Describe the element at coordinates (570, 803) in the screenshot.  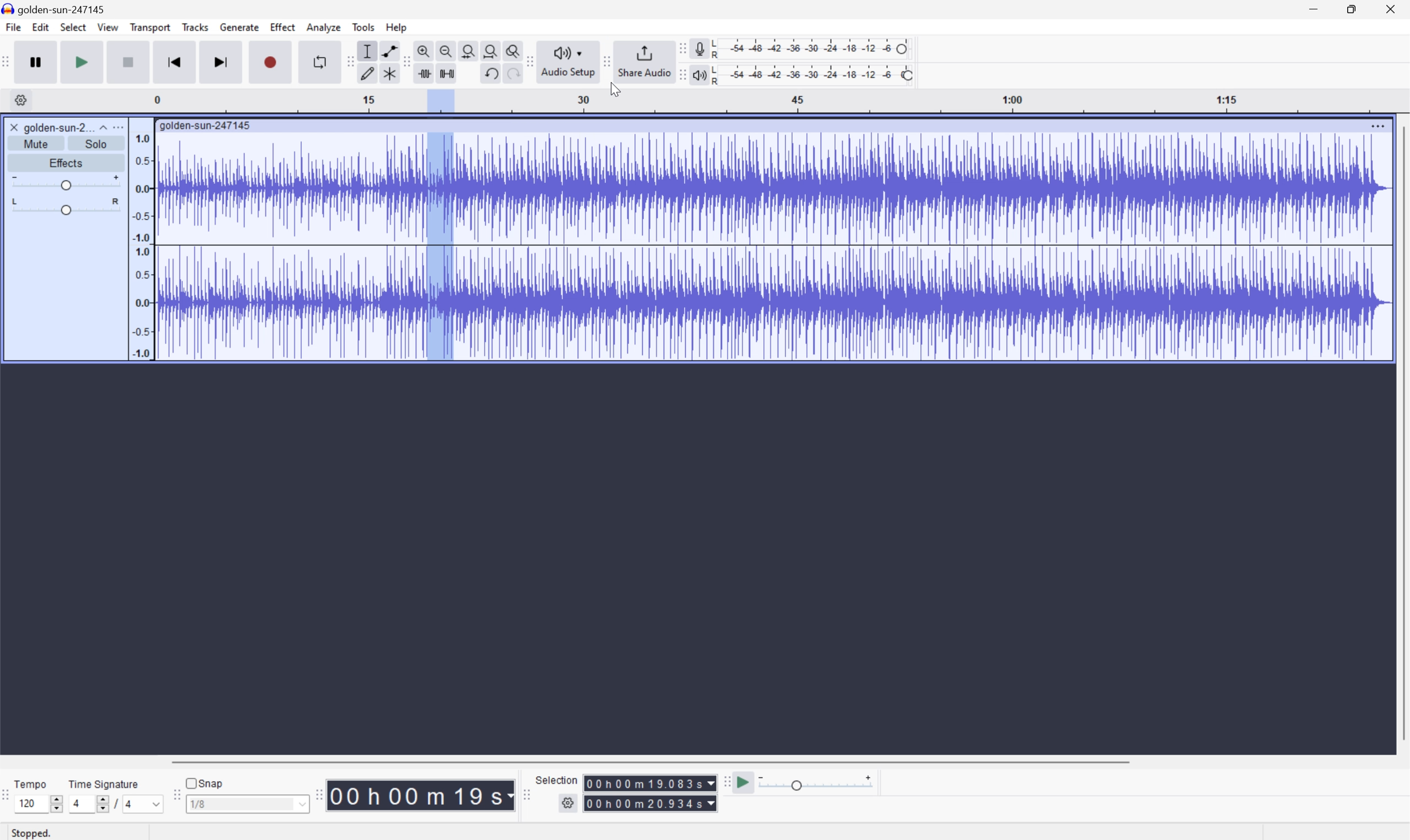
I see `Settings` at that location.